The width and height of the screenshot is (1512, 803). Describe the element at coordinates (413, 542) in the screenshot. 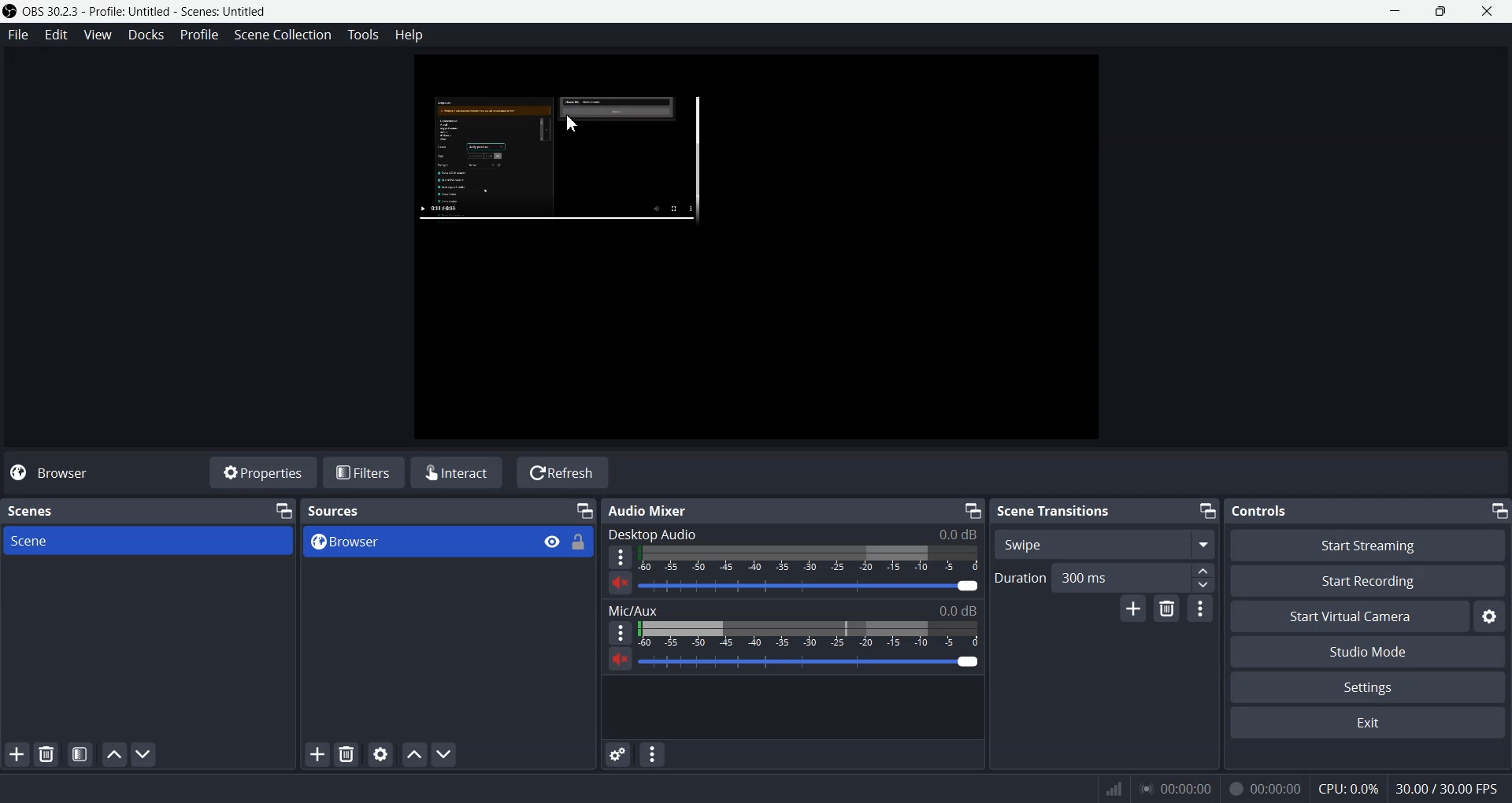

I see `Browser` at that location.